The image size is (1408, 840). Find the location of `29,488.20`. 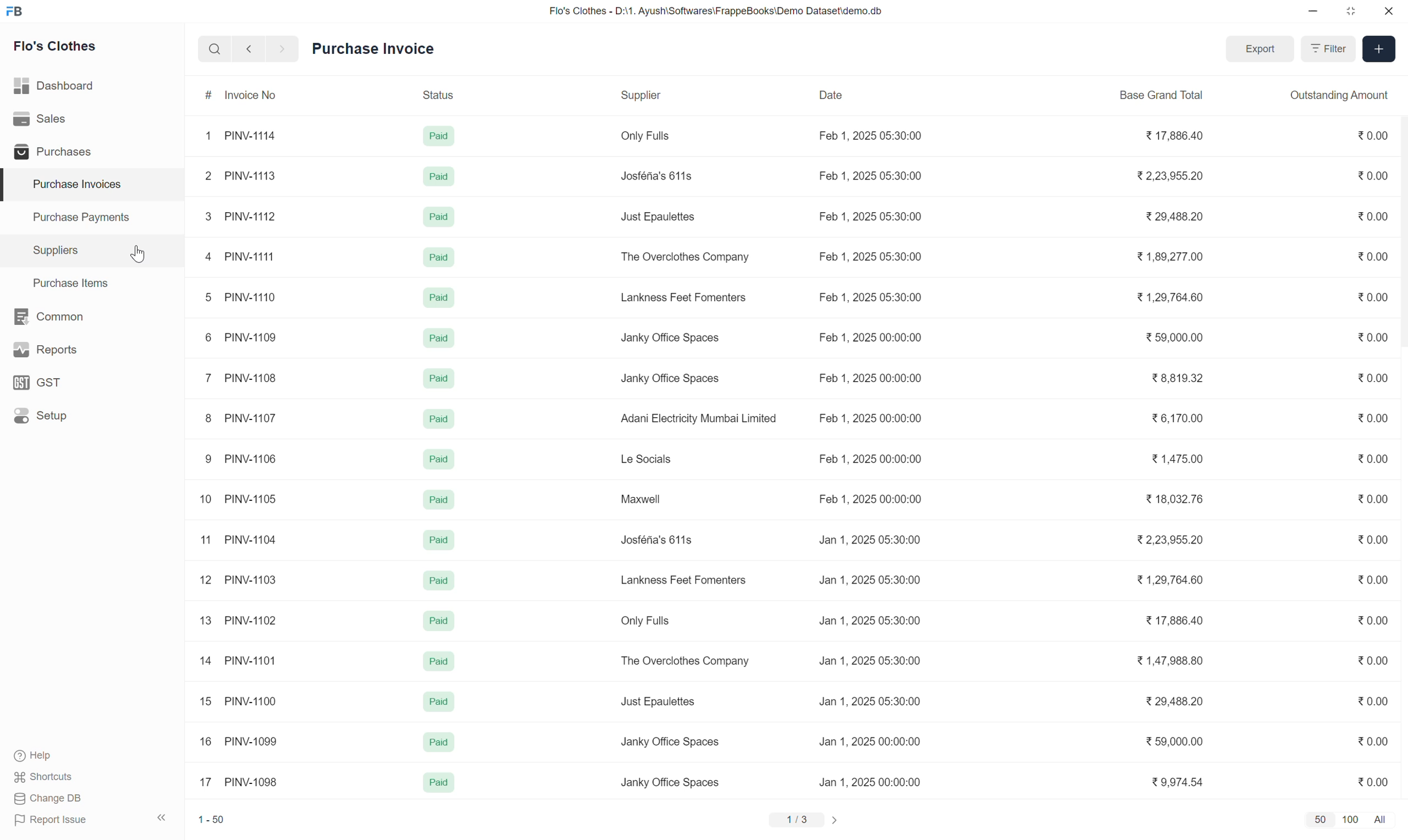

29,488.20 is located at coordinates (1177, 700).